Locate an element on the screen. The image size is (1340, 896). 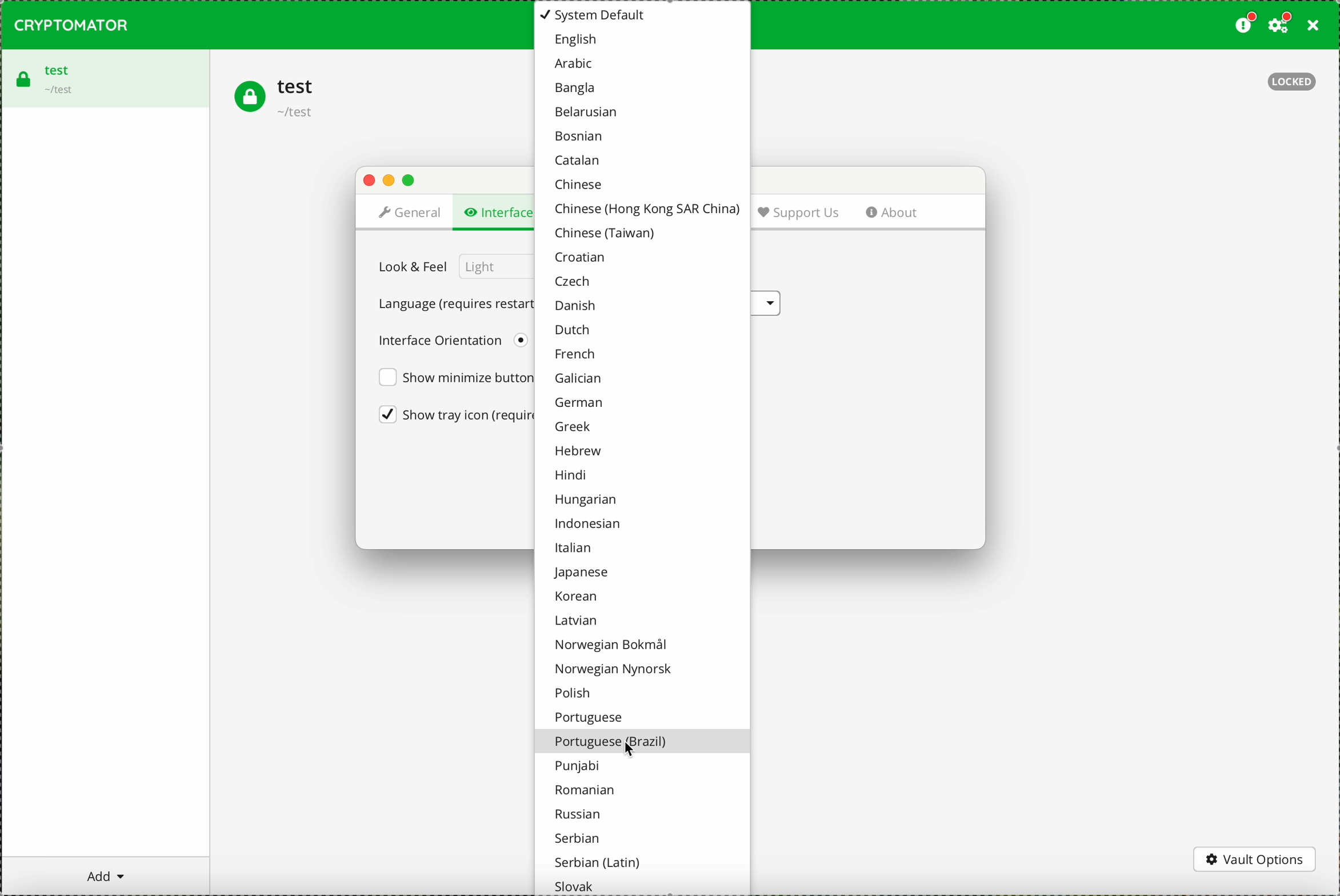
bosnian is located at coordinates (576, 137).